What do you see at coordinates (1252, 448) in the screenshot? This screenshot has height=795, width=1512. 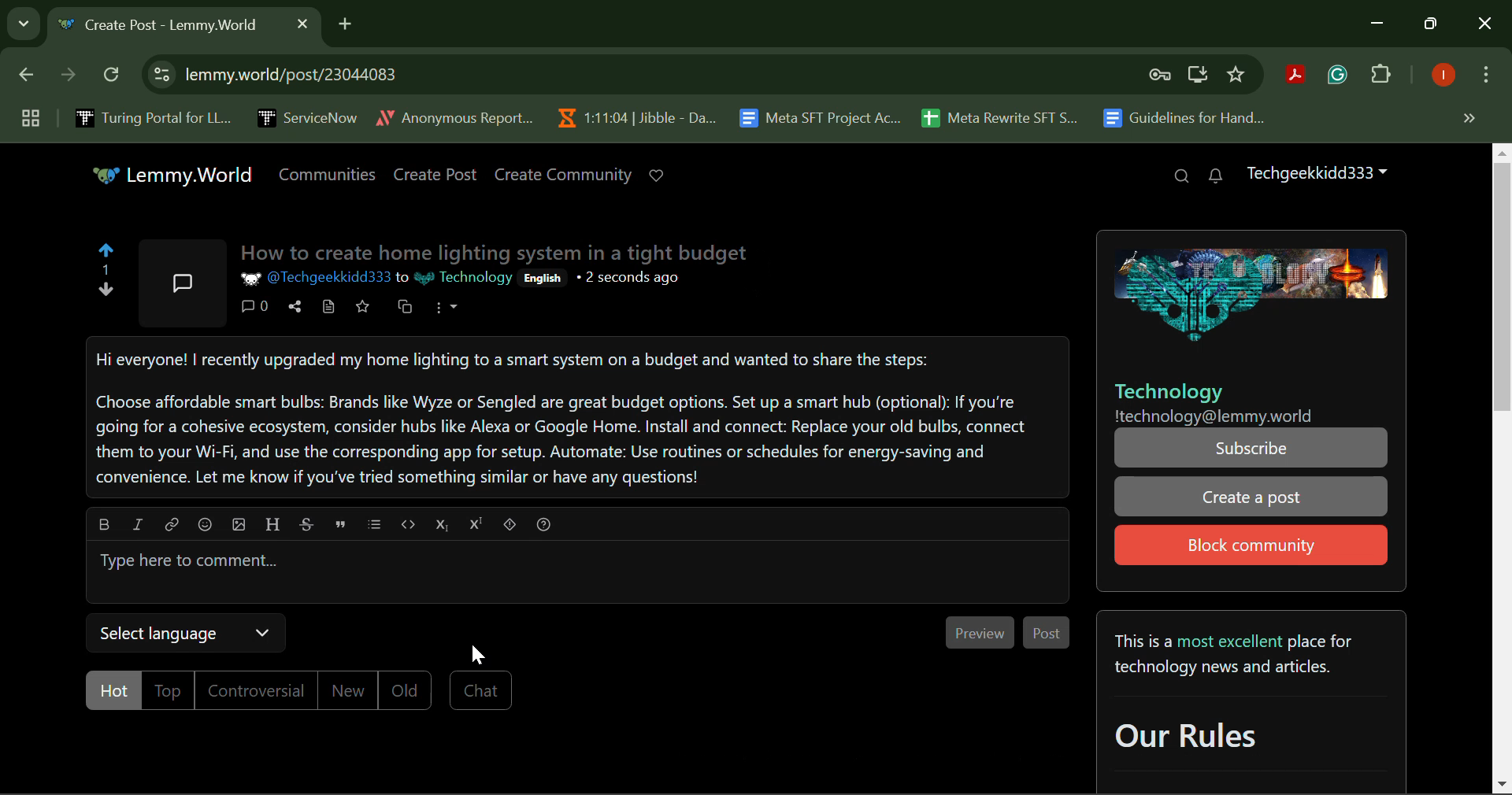 I see `Subscribe Button` at bounding box center [1252, 448].